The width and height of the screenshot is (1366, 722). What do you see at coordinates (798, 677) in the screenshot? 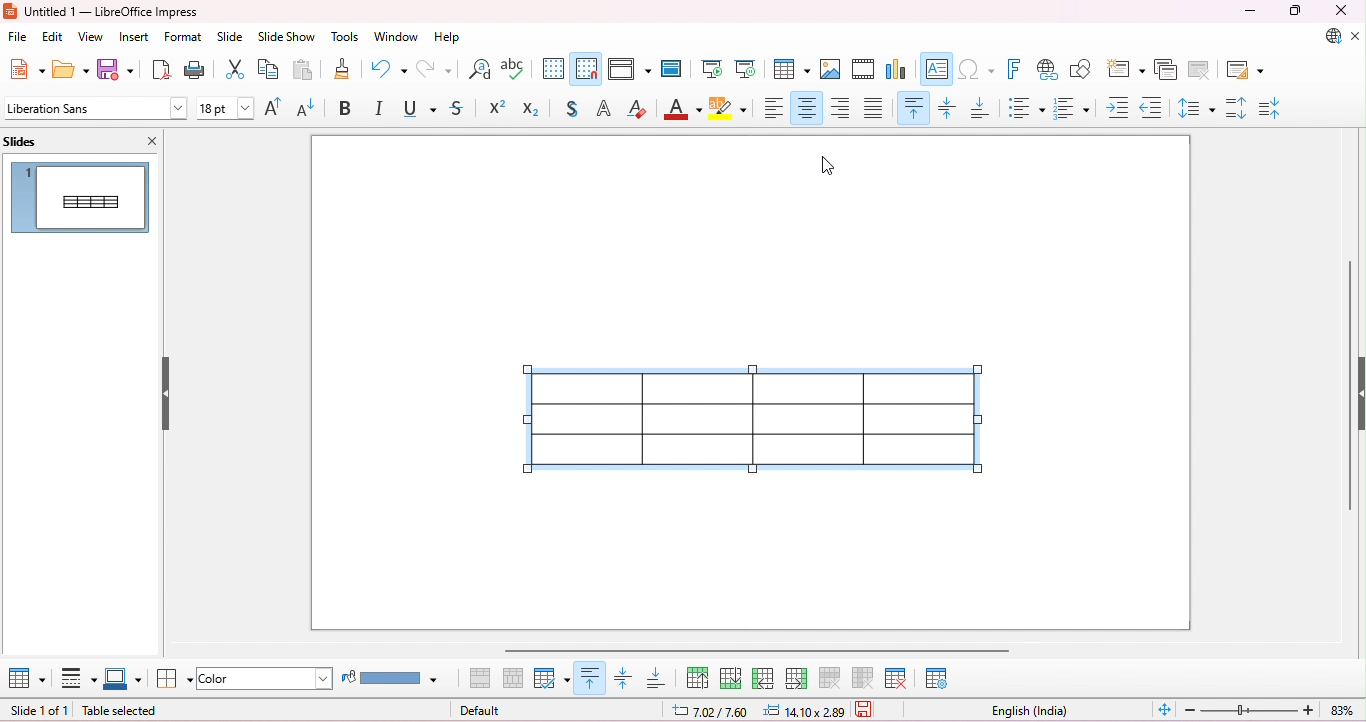
I see `insert after` at bounding box center [798, 677].